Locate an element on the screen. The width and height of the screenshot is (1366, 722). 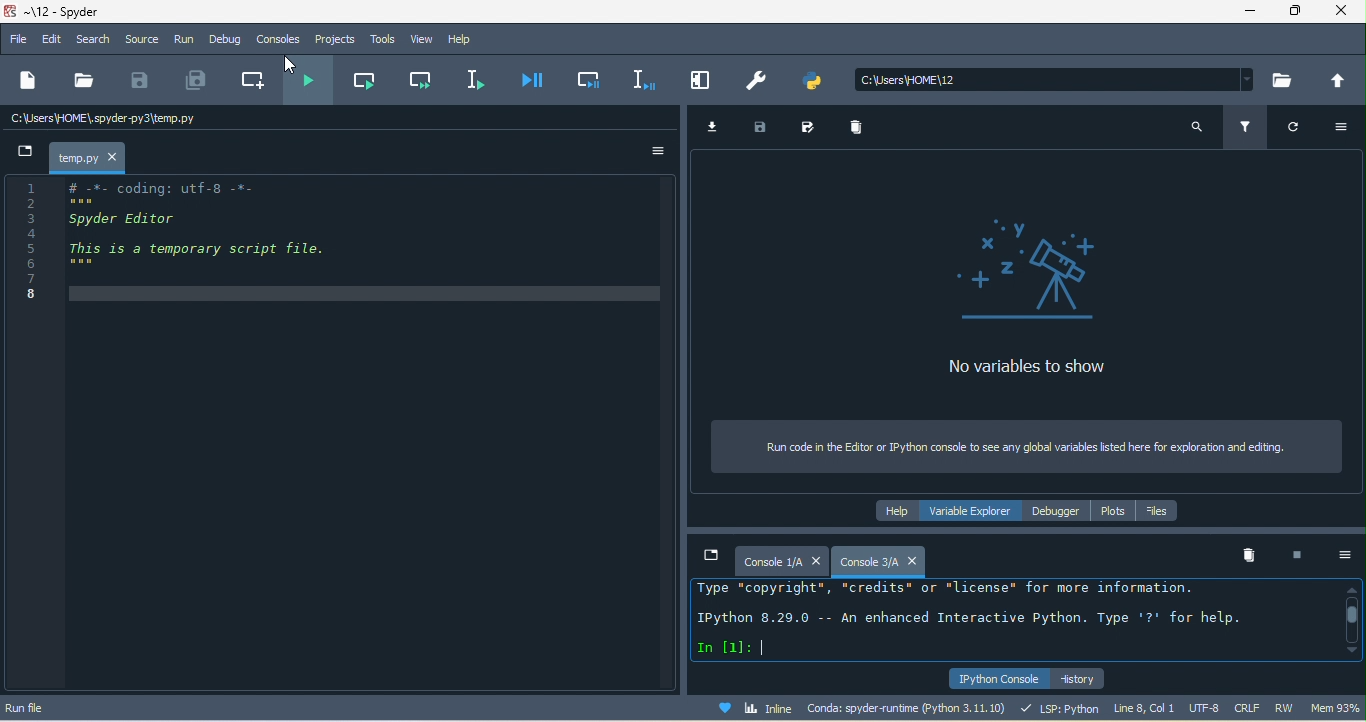
vertical scroll bar is located at coordinates (1351, 617).